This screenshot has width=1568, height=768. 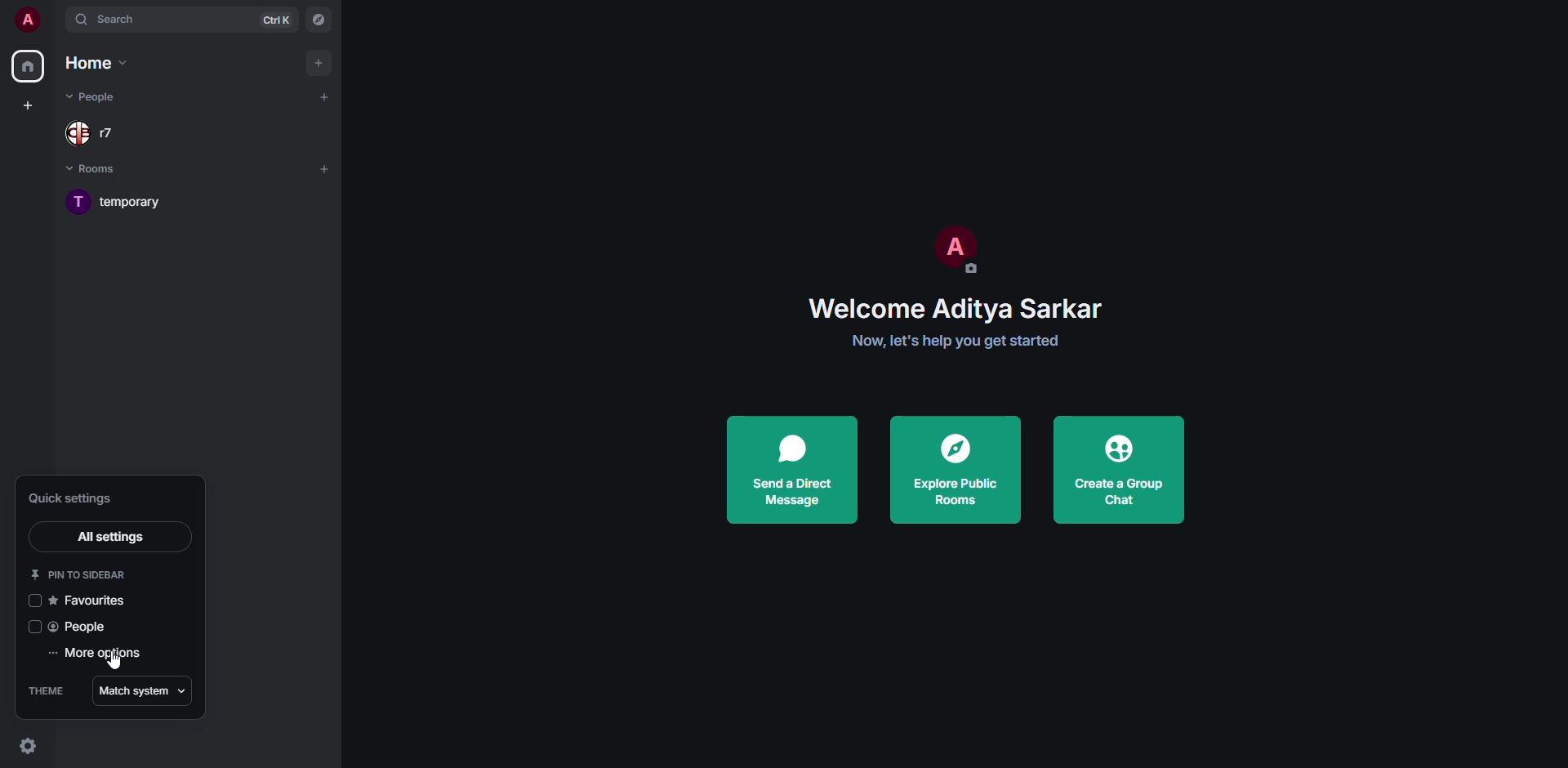 I want to click on more options, so click(x=95, y=654).